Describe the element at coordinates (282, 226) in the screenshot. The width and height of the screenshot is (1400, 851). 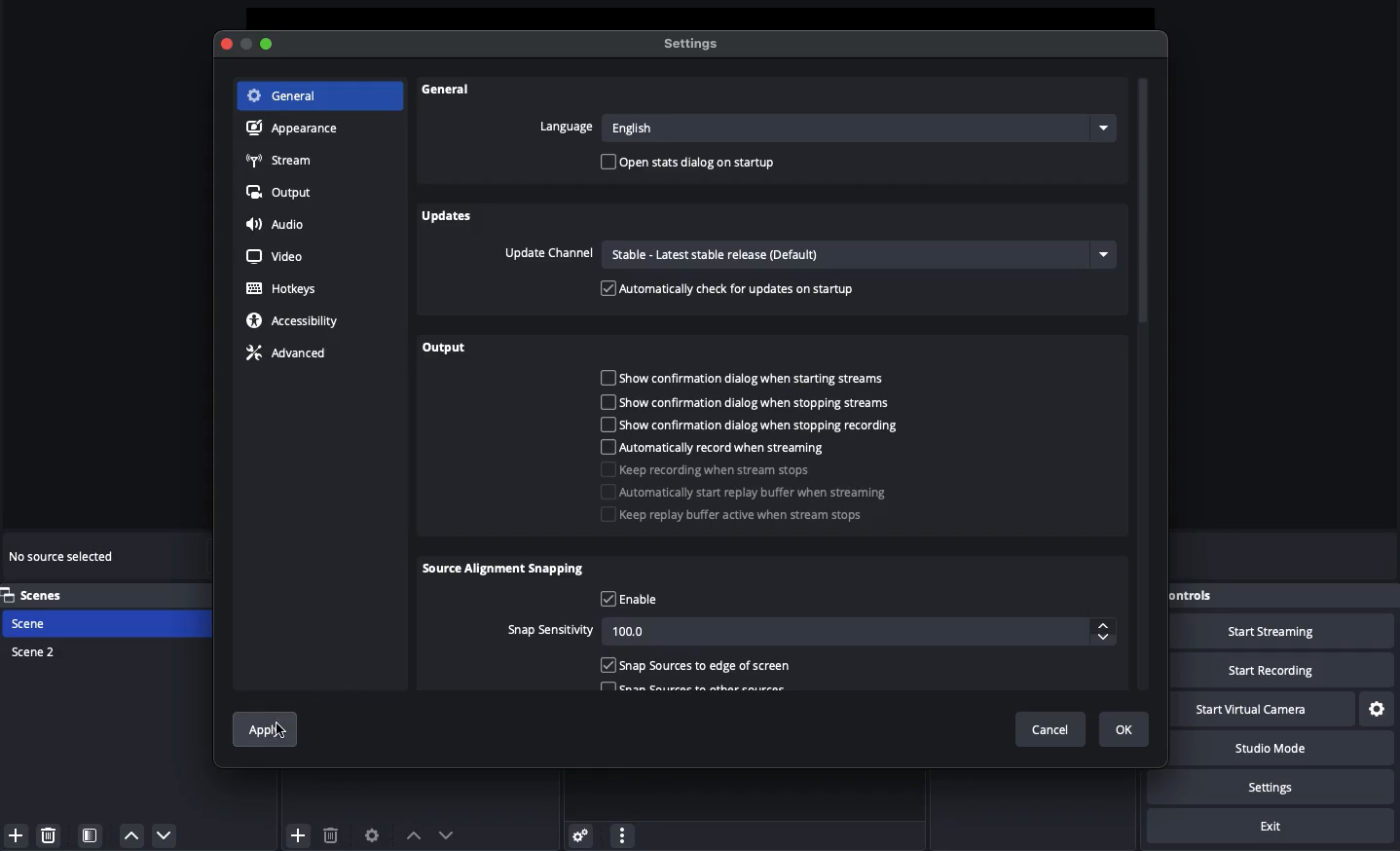
I see `Audio` at that location.